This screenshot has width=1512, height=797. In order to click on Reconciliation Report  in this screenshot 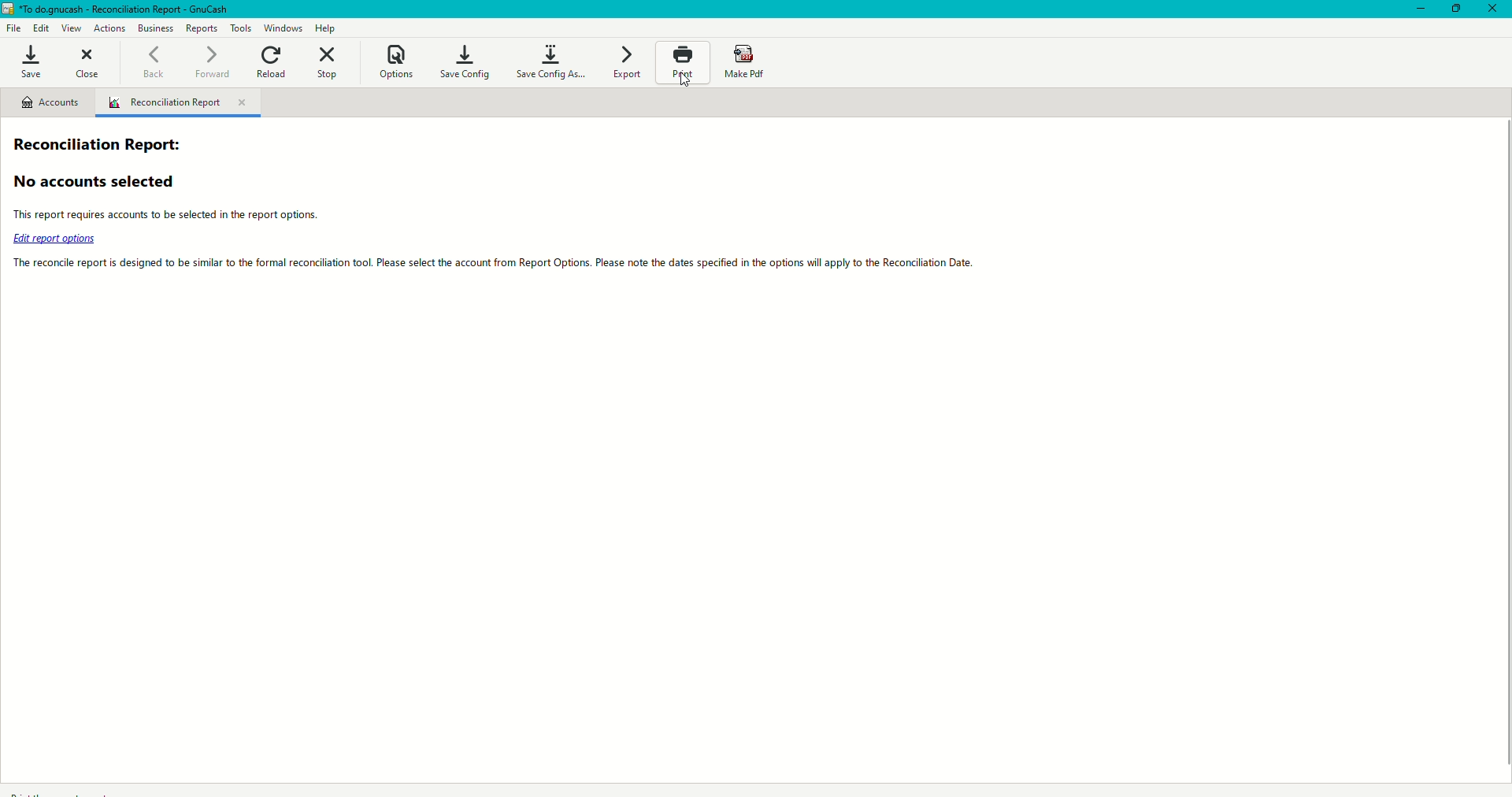, I will do `click(106, 144)`.